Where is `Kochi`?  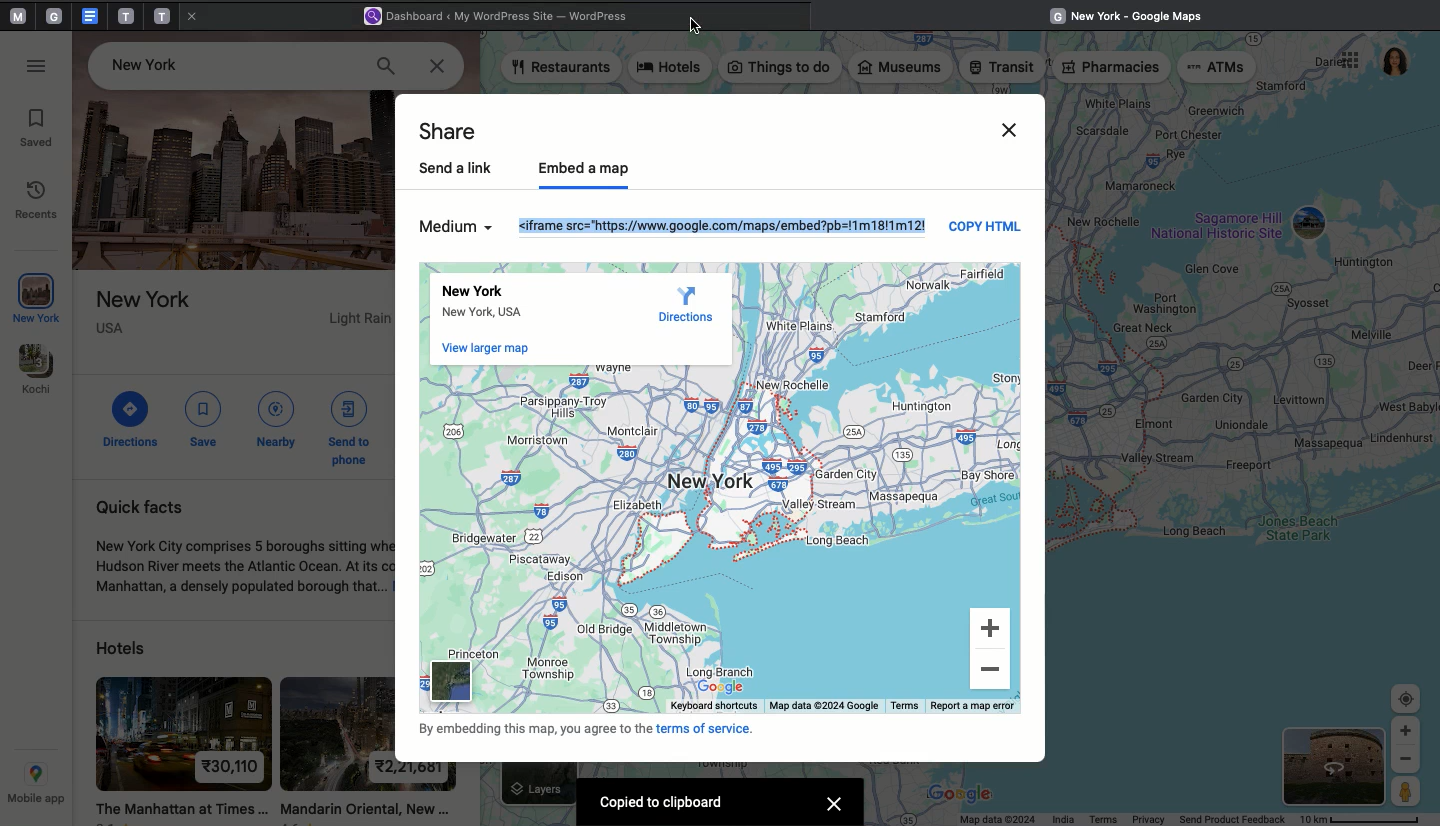
Kochi is located at coordinates (37, 370).